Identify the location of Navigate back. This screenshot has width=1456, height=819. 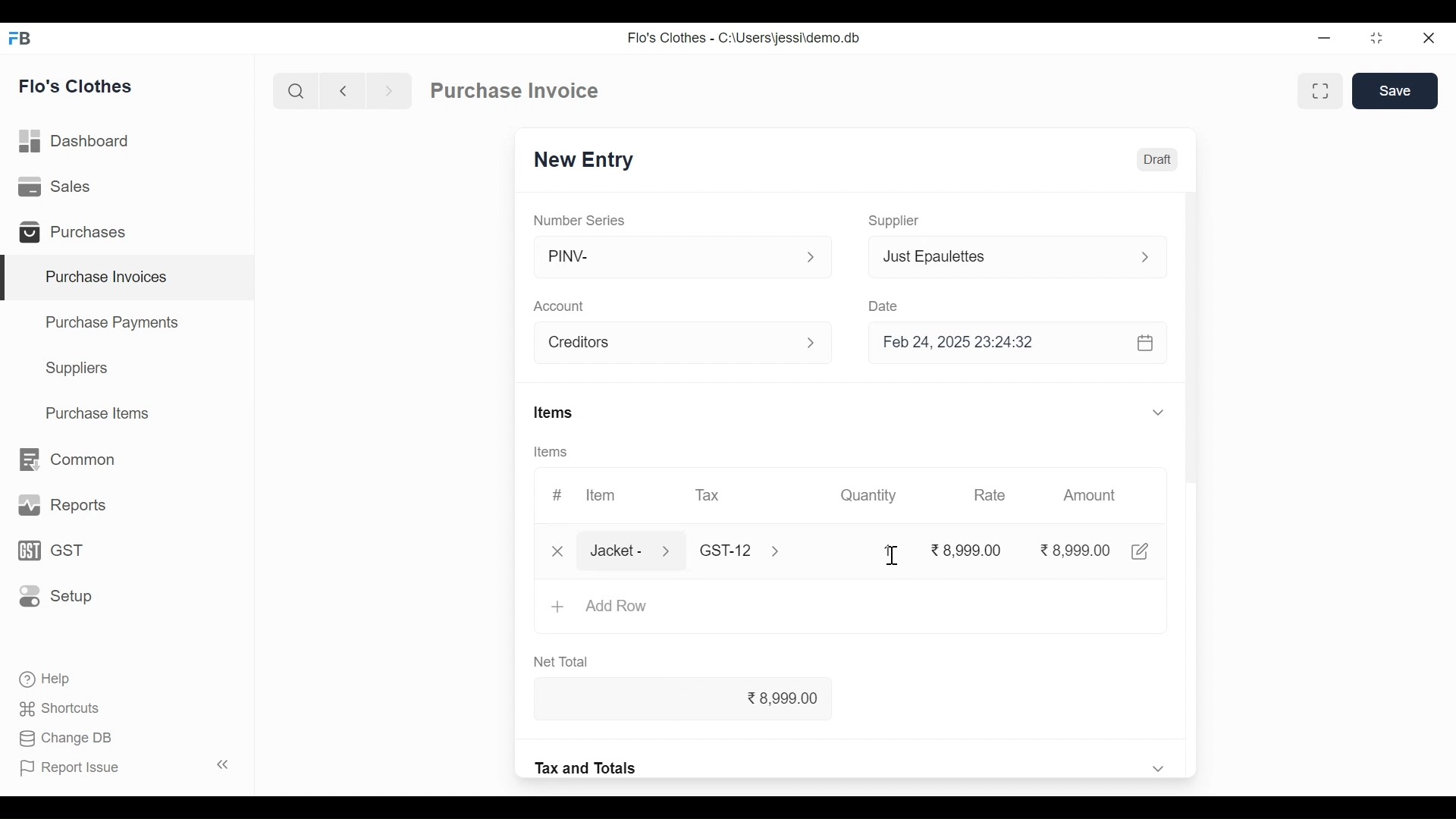
(340, 91).